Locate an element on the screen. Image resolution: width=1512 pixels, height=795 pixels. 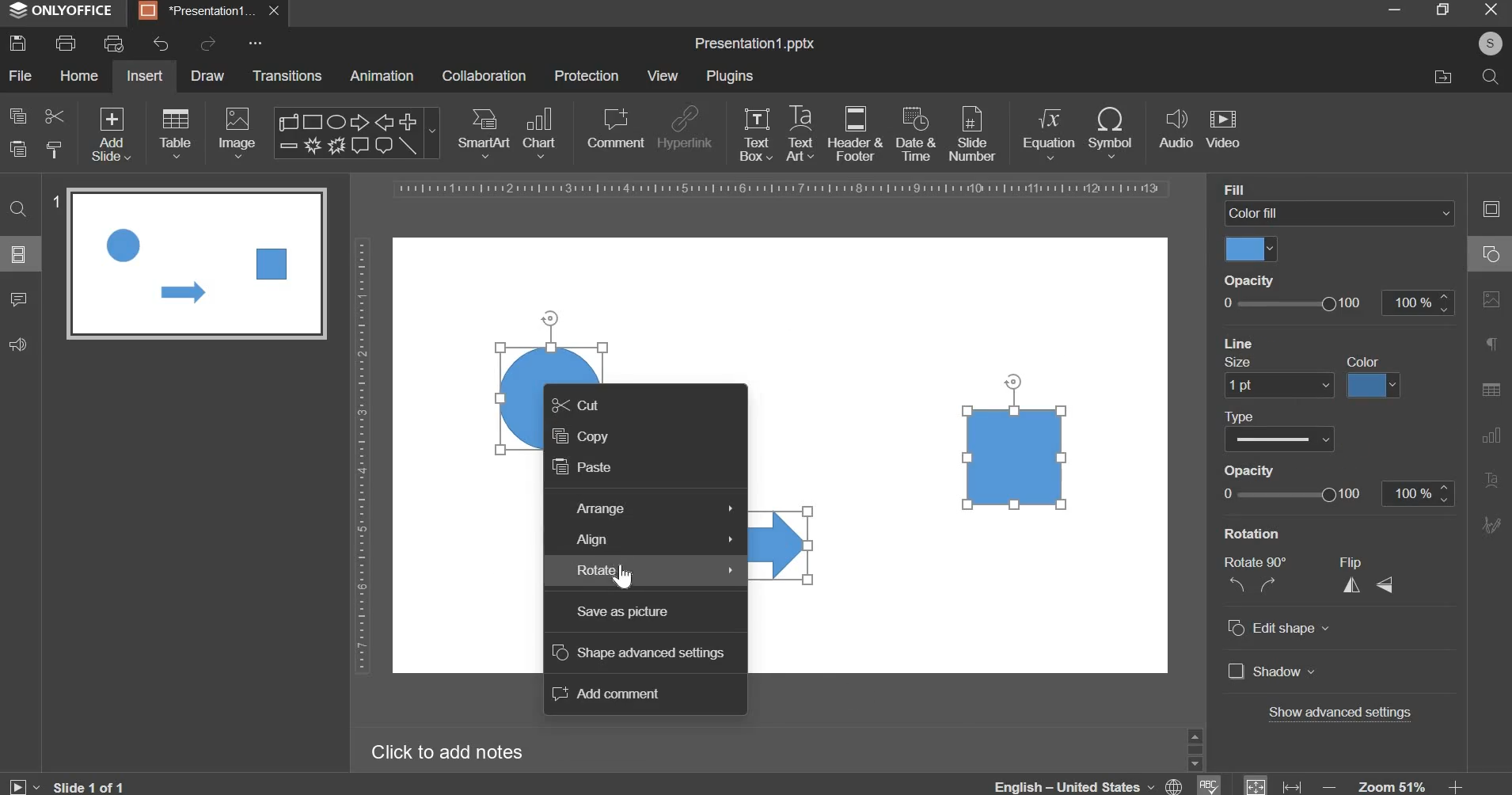
find is located at coordinates (20, 207).